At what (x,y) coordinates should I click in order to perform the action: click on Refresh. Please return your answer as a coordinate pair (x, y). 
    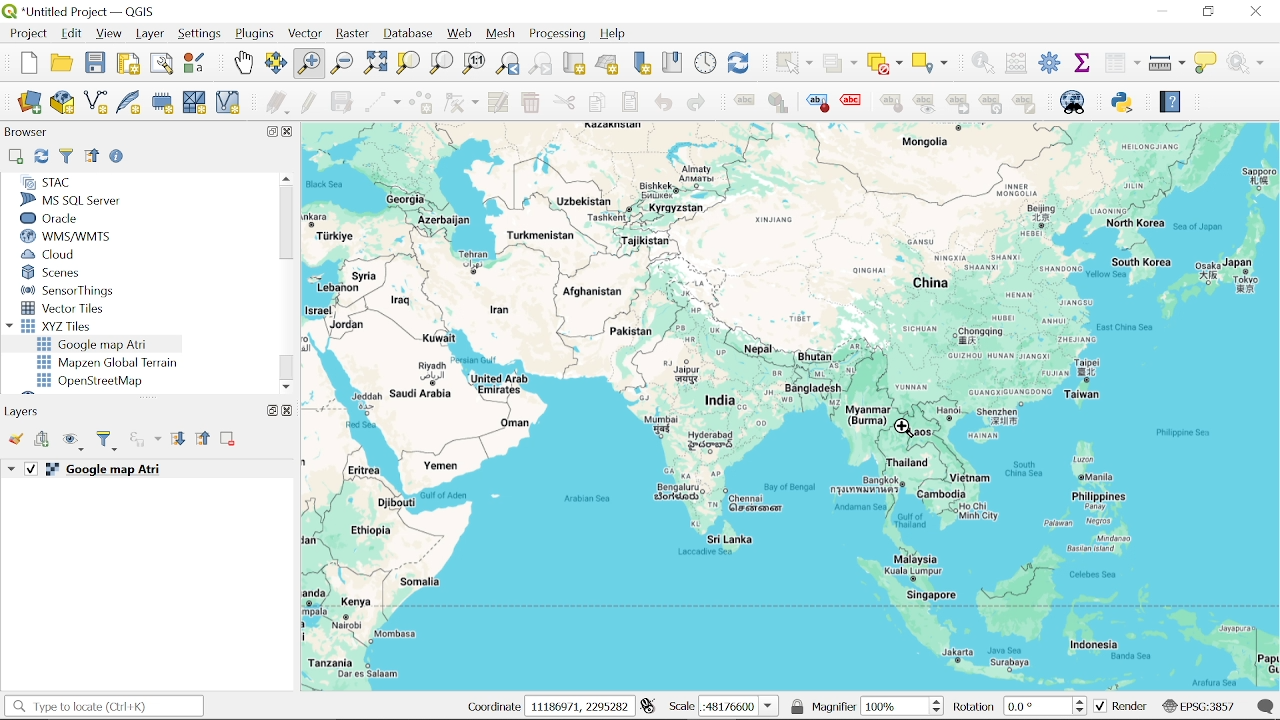
    Looking at the image, I should click on (40, 157).